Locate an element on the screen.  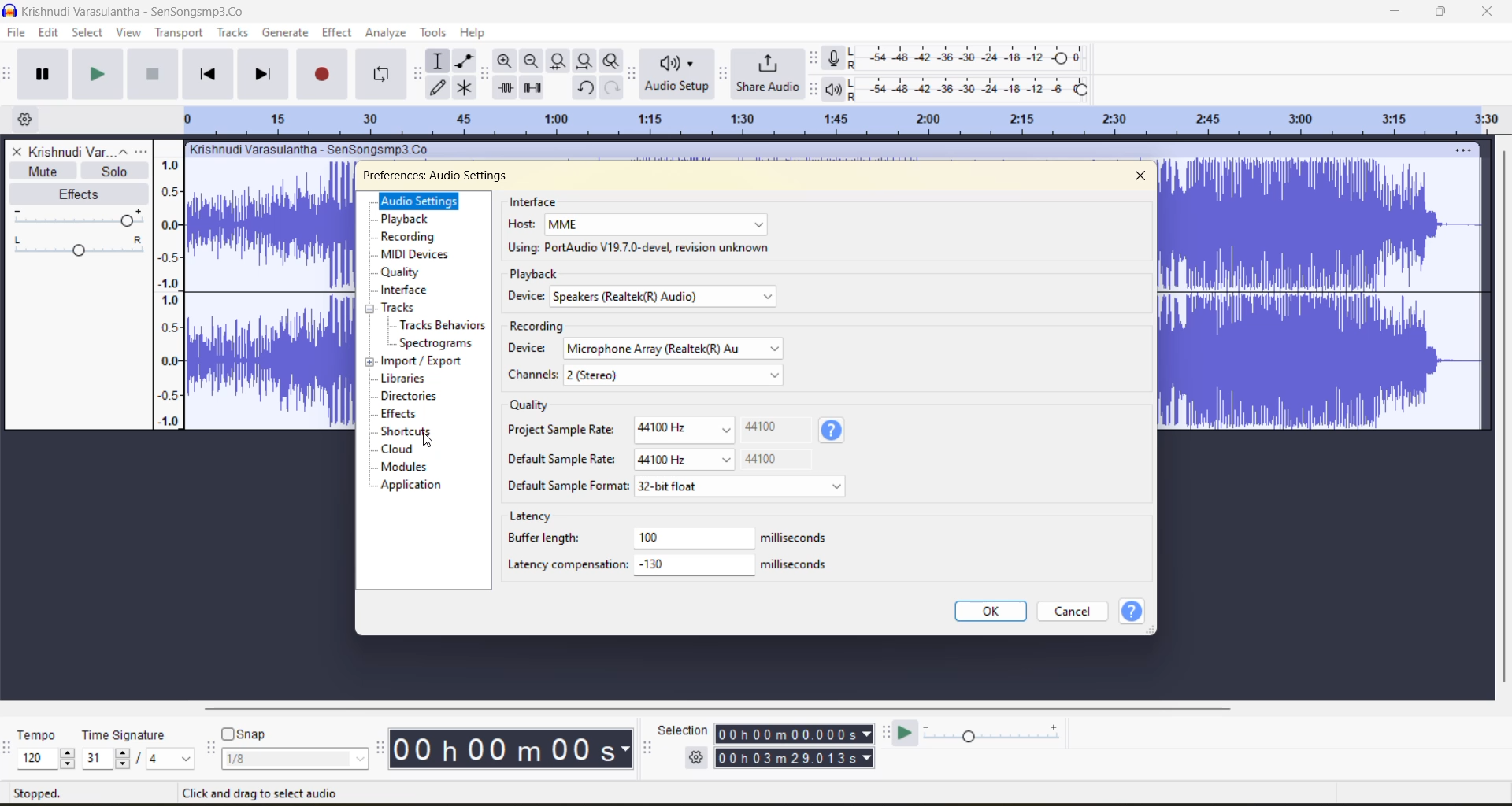
track play time is located at coordinates (795, 747).